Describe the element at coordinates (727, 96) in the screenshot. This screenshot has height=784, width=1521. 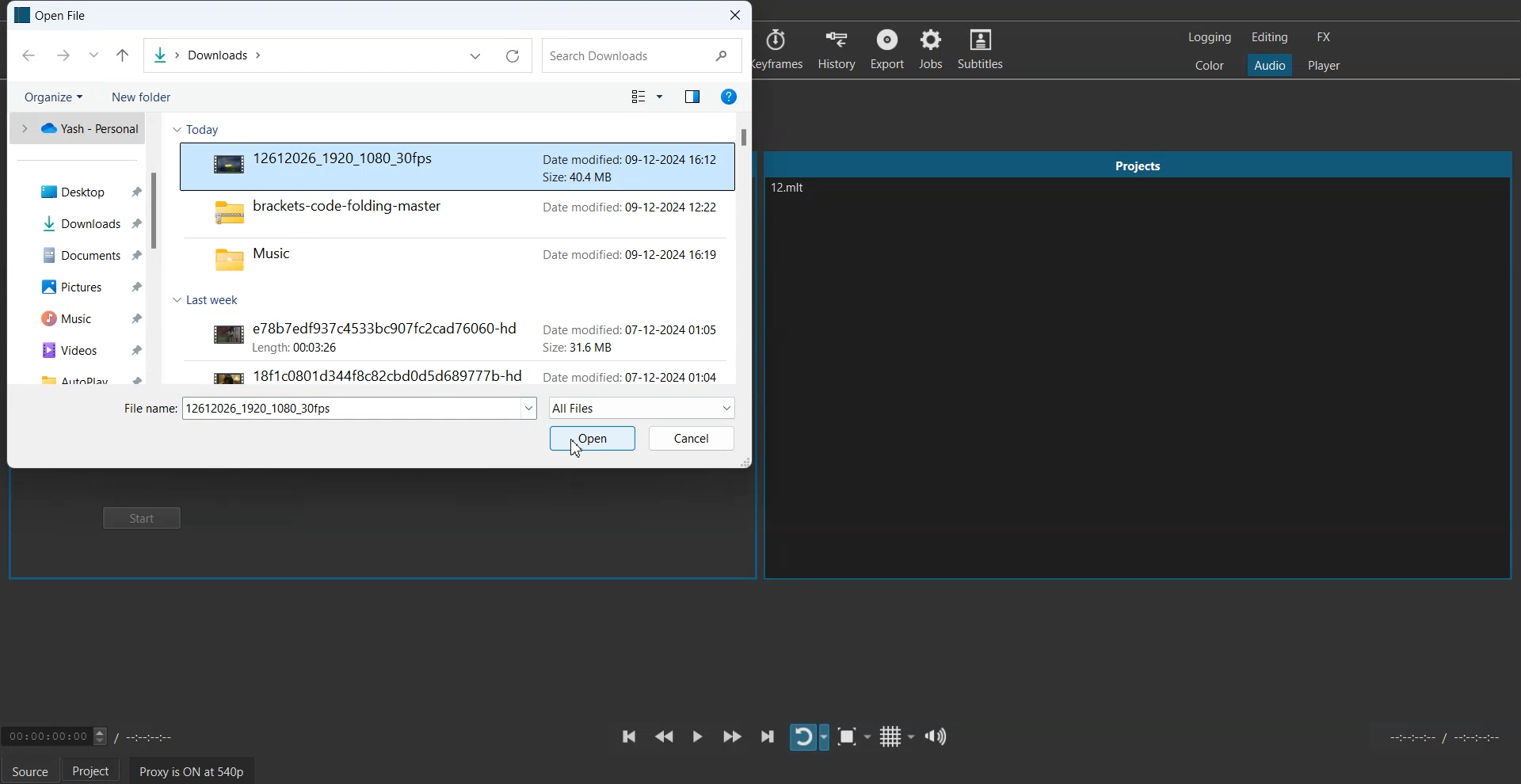
I see `Help` at that location.